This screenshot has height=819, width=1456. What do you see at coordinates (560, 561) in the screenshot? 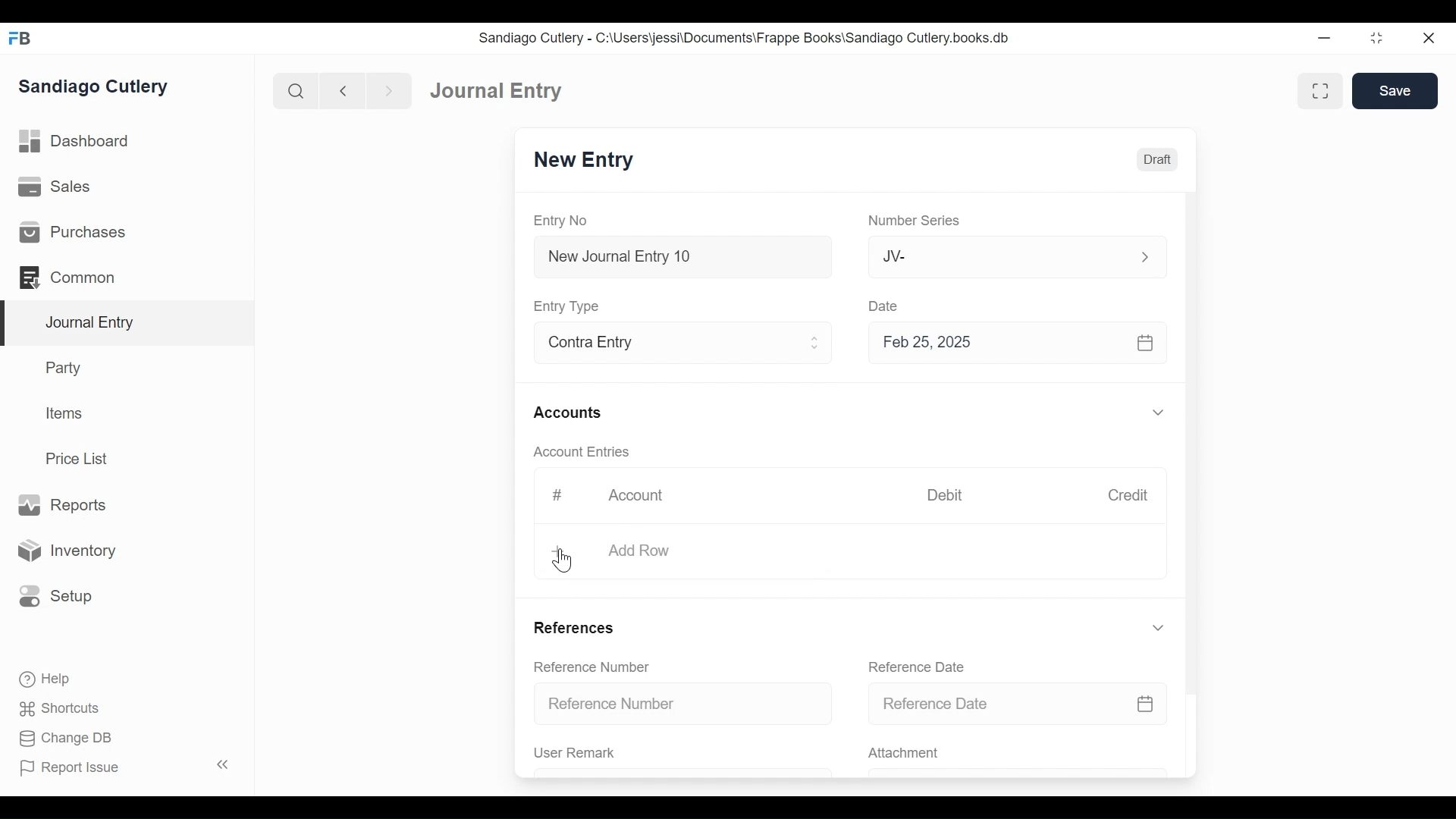
I see `Cursor` at bounding box center [560, 561].